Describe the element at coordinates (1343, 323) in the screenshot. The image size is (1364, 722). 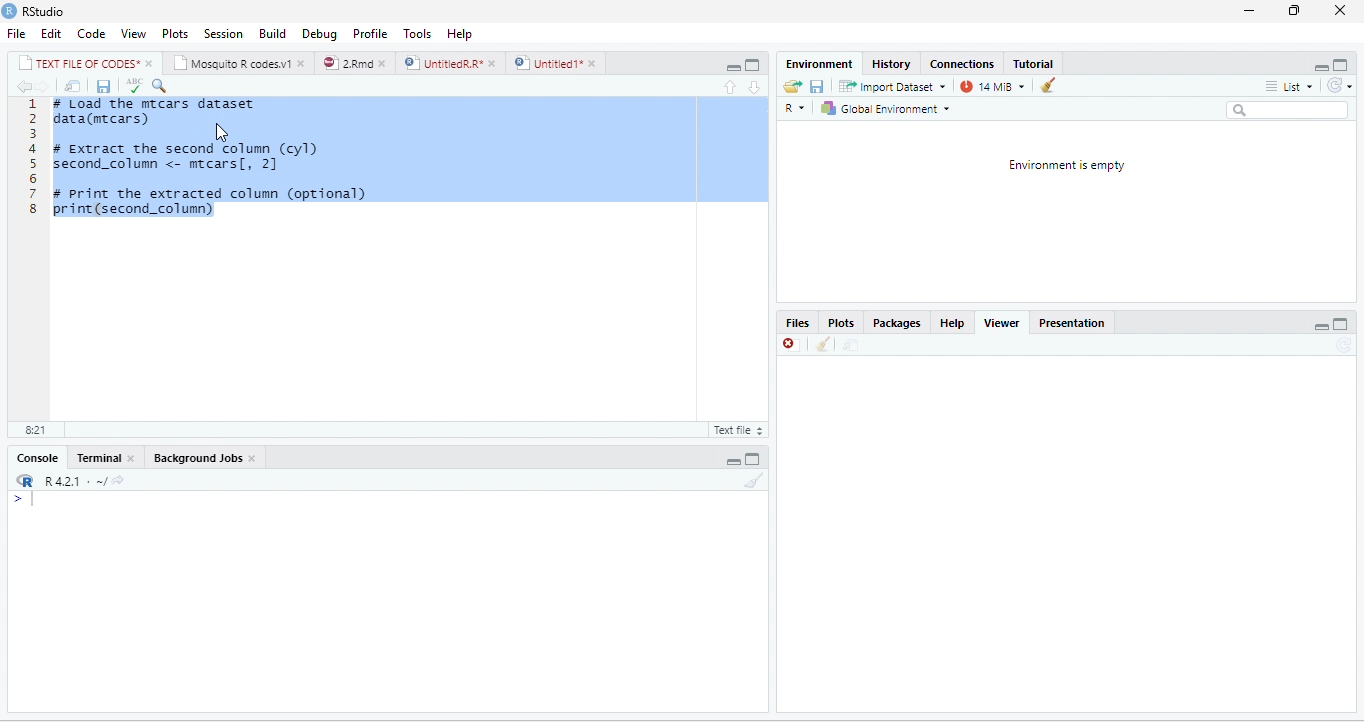
I see `maximize` at that location.